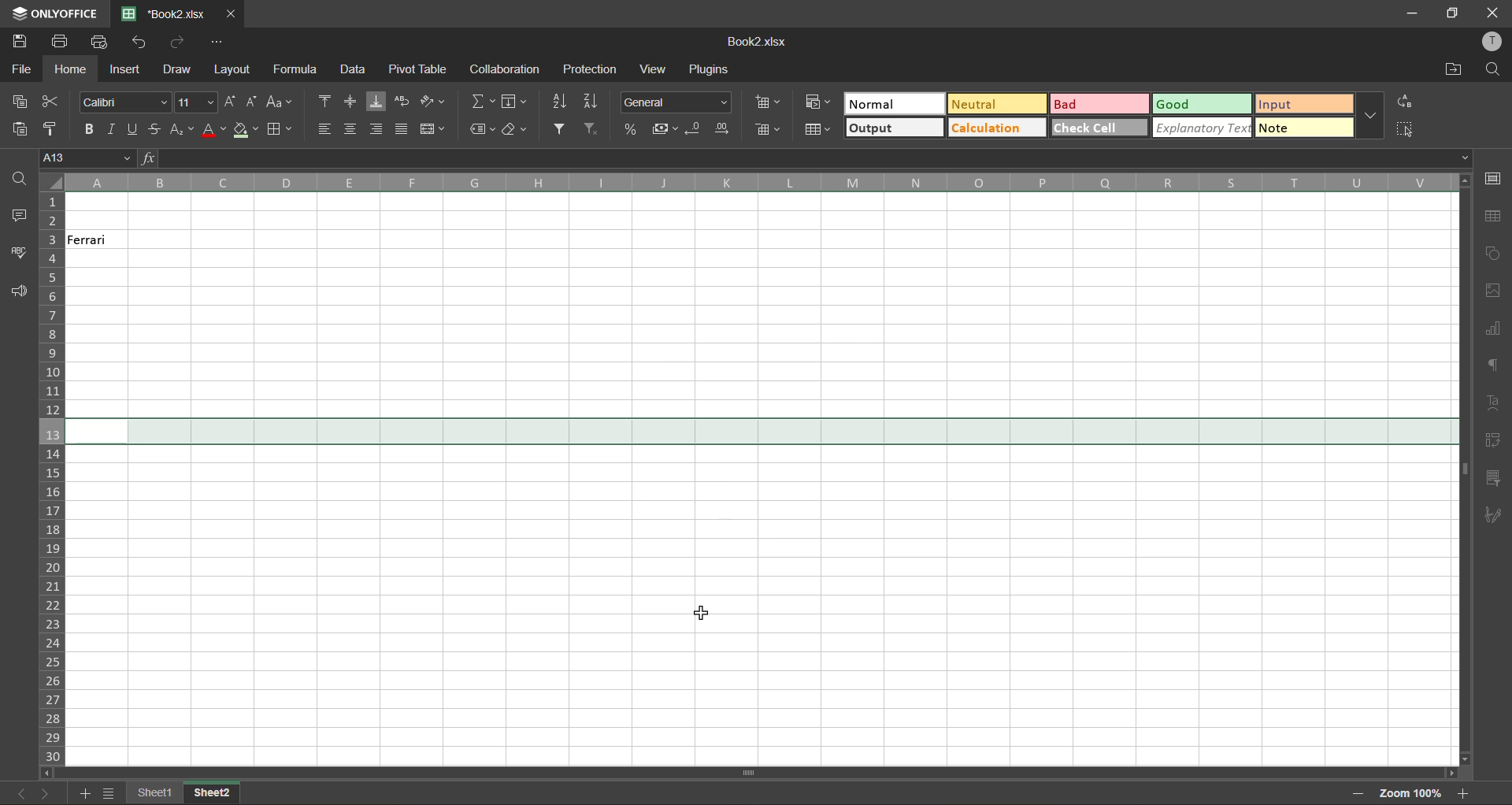 This screenshot has width=1512, height=805. What do you see at coordinates (231, 70) in the screenshot?
I see `layout` at bounding box center [231, 70].